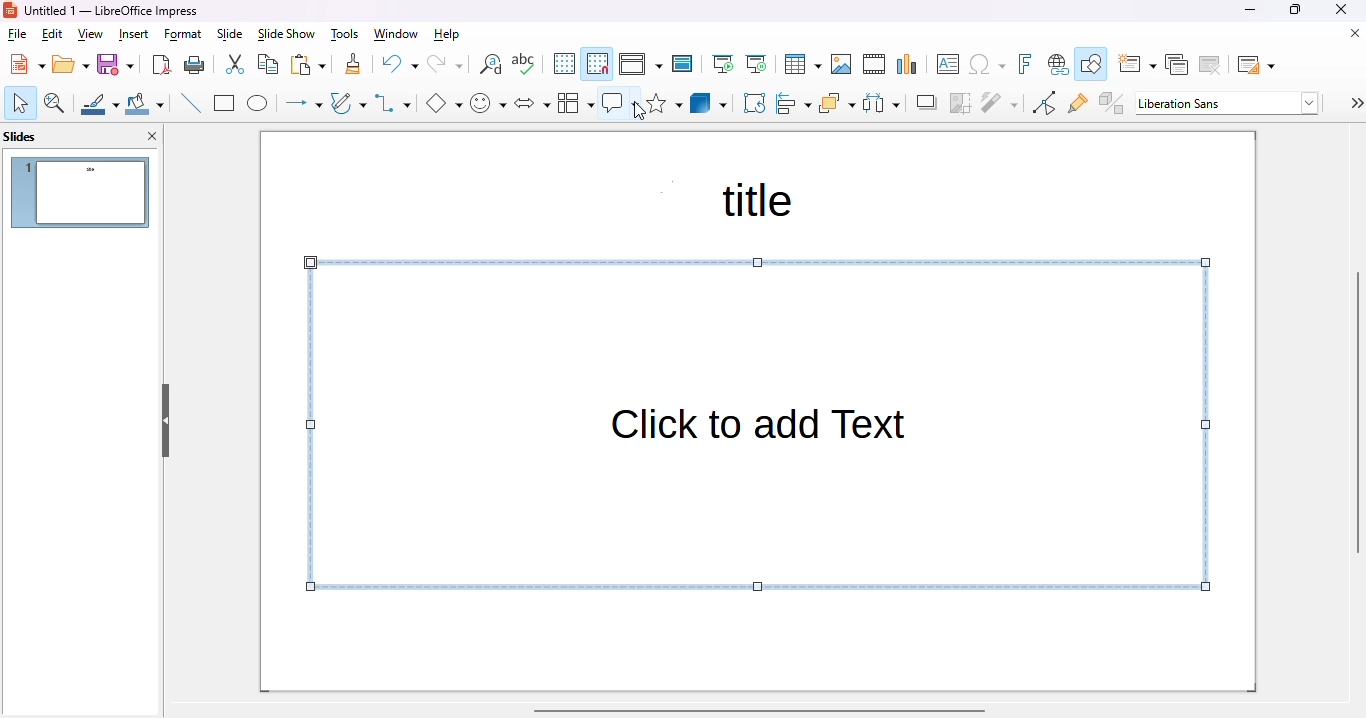 The height and width of the screenshot is (718, 1366). What do you see at coordinates (1000, 103) in the screenshot?
I see `filter` at bounding box center [1000, 103].